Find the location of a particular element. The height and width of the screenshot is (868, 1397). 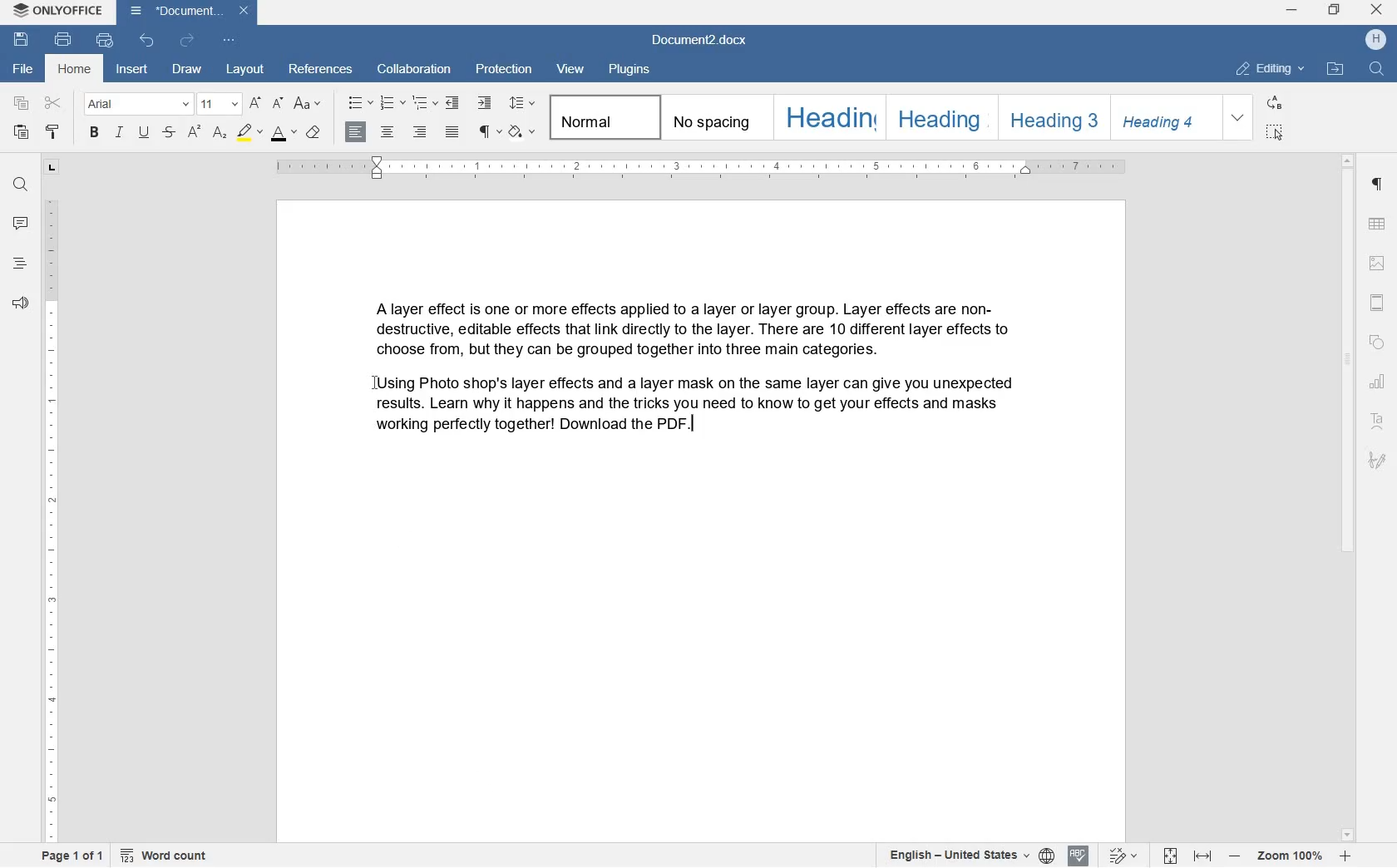

PAGE 1 OF 1 is located at coordinates (72, 856).